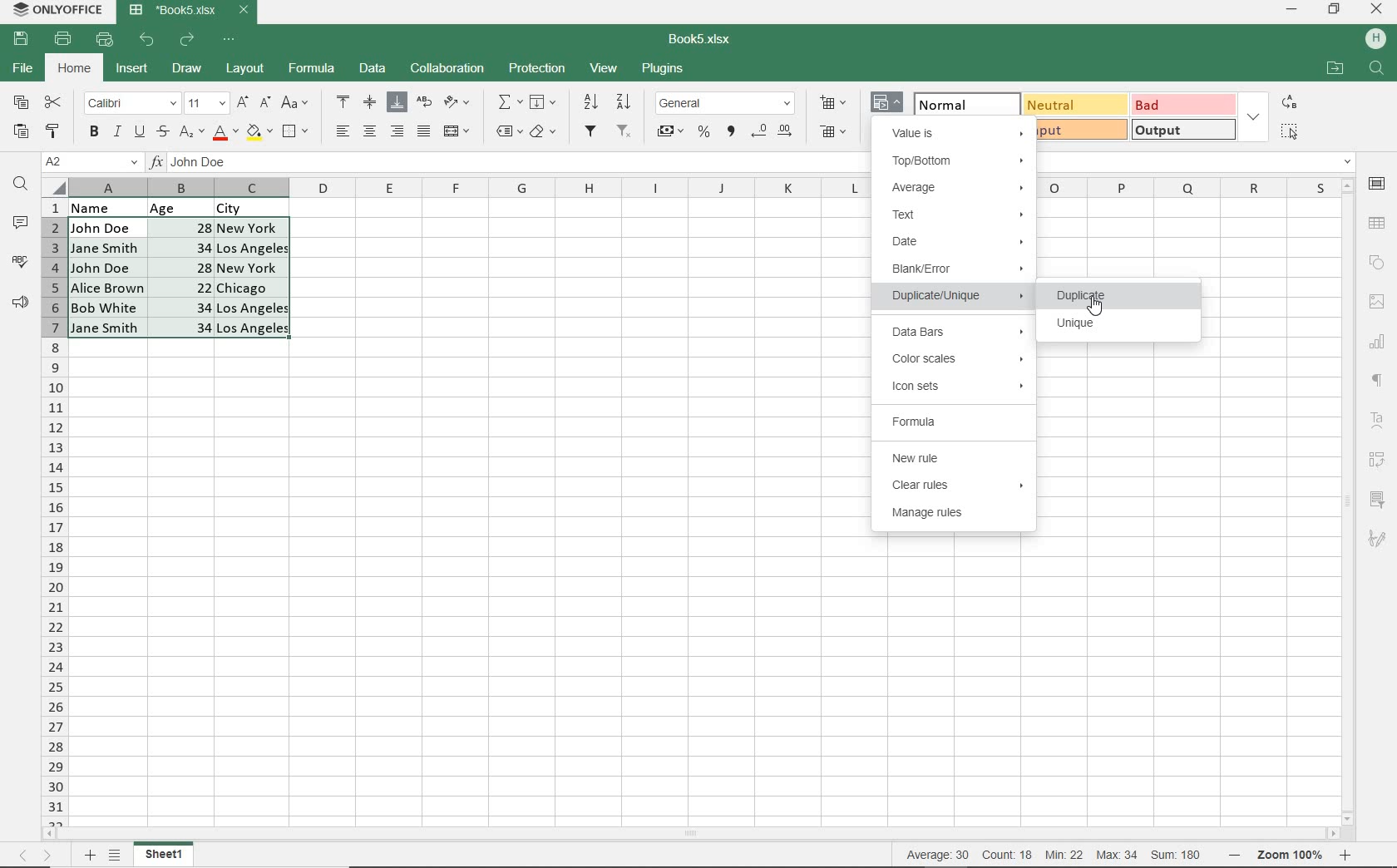 This screenshot has width=1397, height=868. I want to click on CUT, so click(54, 102).